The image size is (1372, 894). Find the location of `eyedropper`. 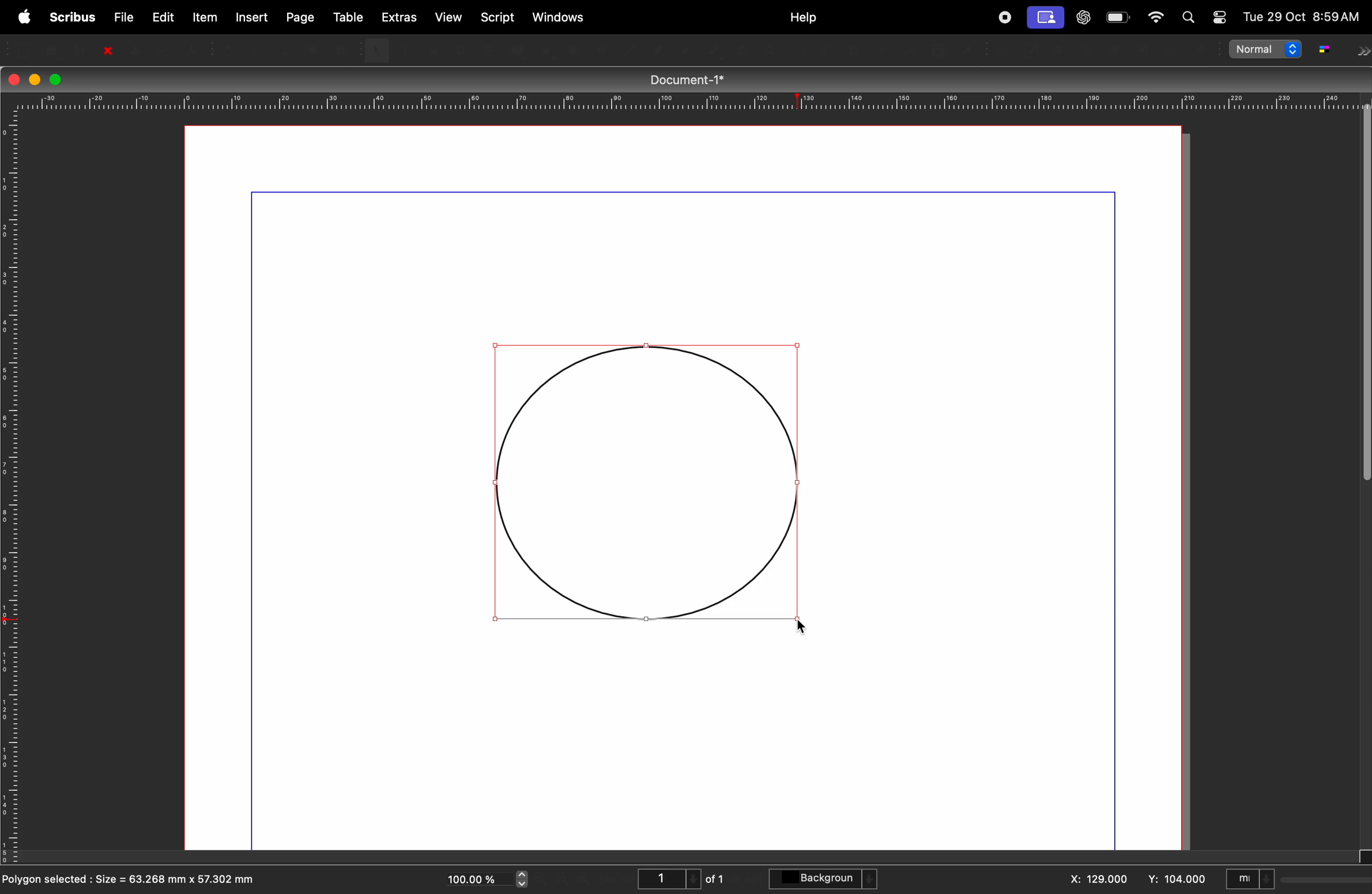

eyedropper is located at coordinates (968, 50).